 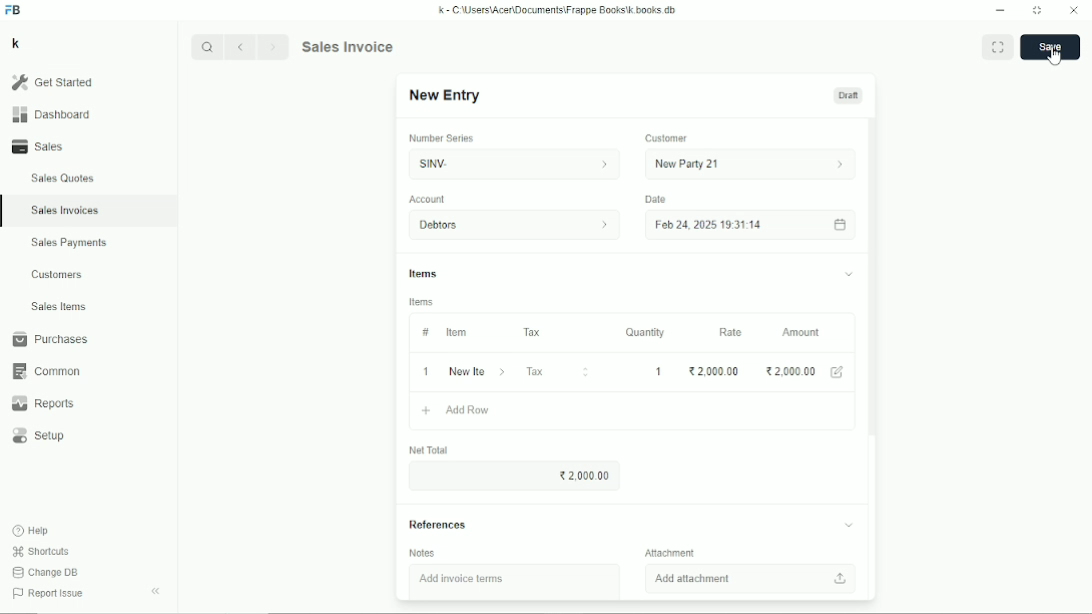 What do you see at coordinates (998, 46) in the screenshot?
I see `Toggle between form and full width` at bounding box center [998, 46].